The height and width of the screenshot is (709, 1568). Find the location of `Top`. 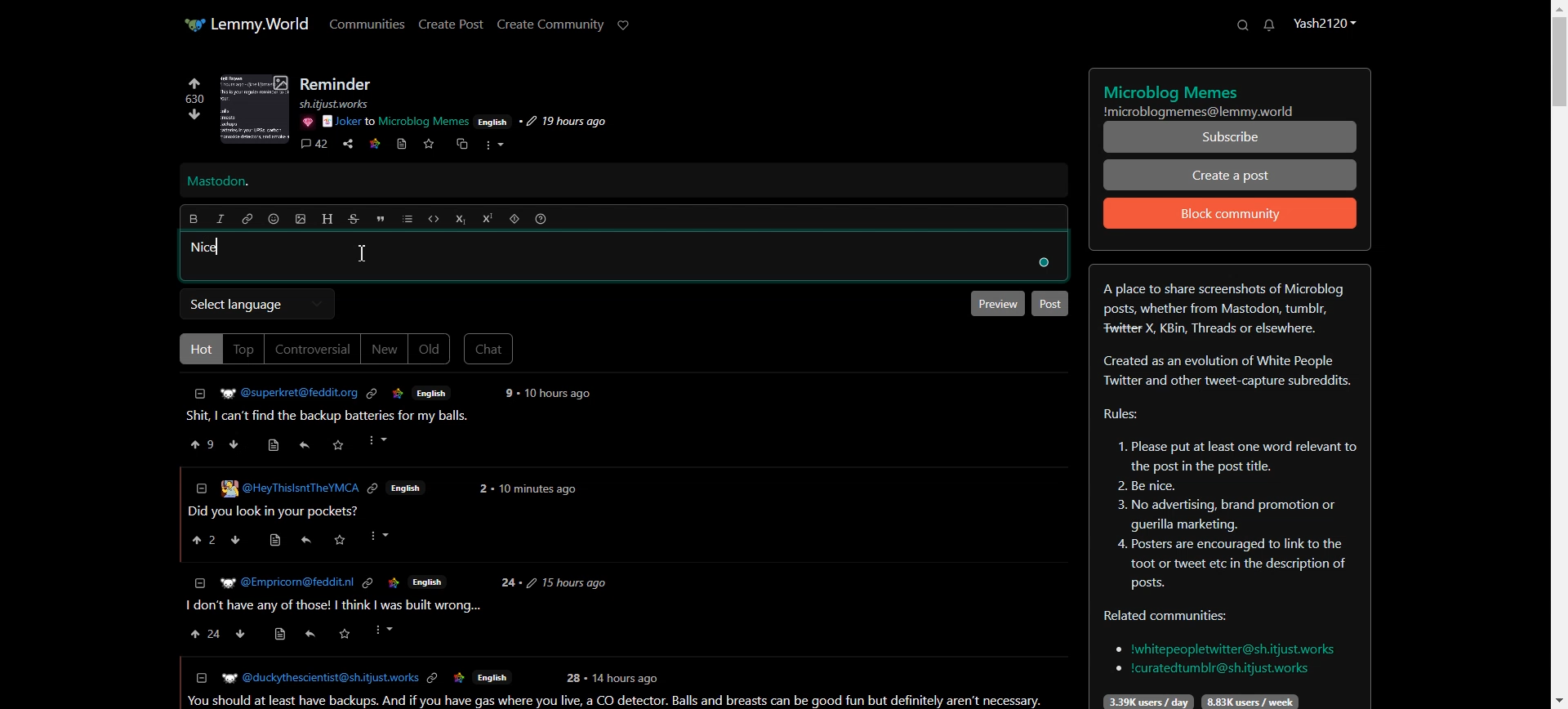

Top is located at coordinates (243, 349).